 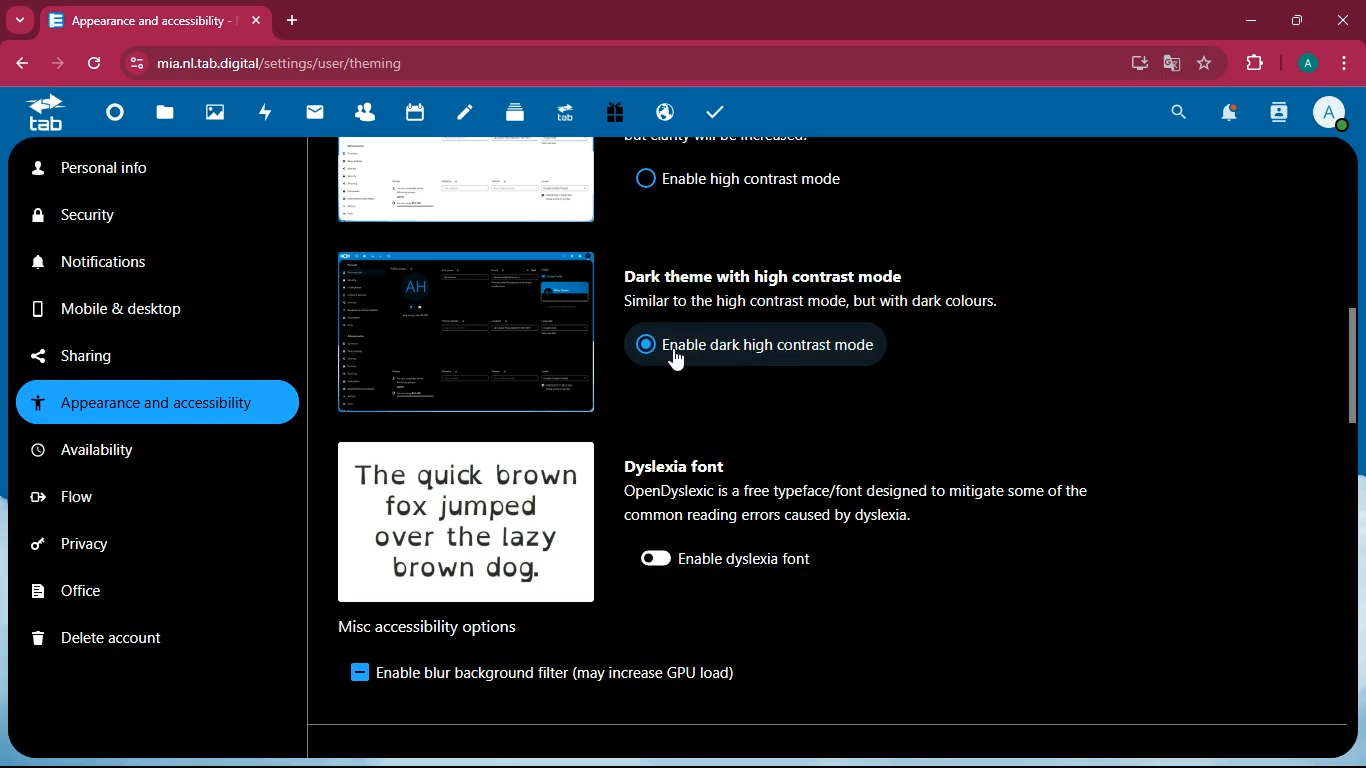 I want to click on description, so click(x=836, y=303).